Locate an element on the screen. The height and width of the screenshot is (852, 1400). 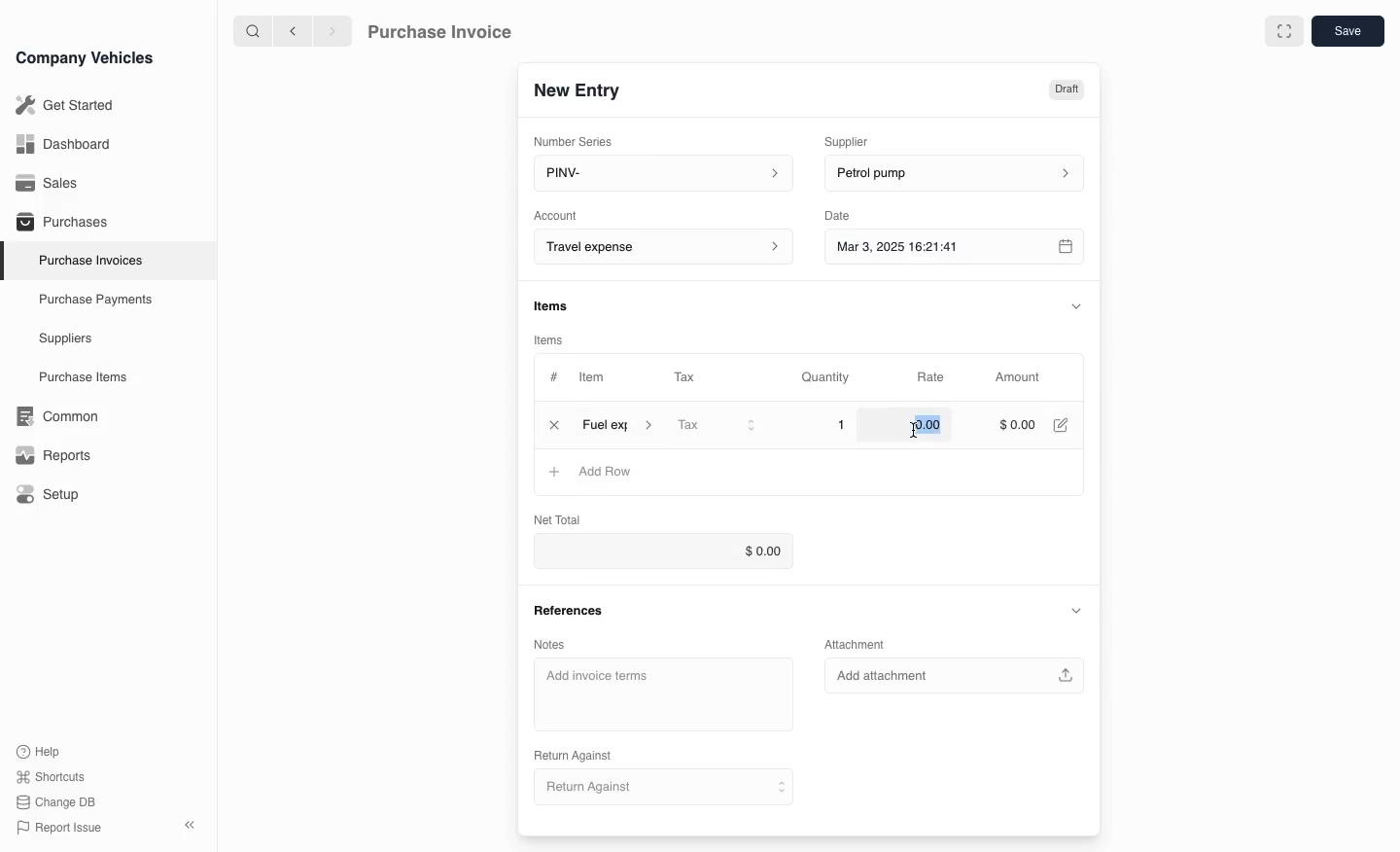
1 is located at coordinates (827, 425).